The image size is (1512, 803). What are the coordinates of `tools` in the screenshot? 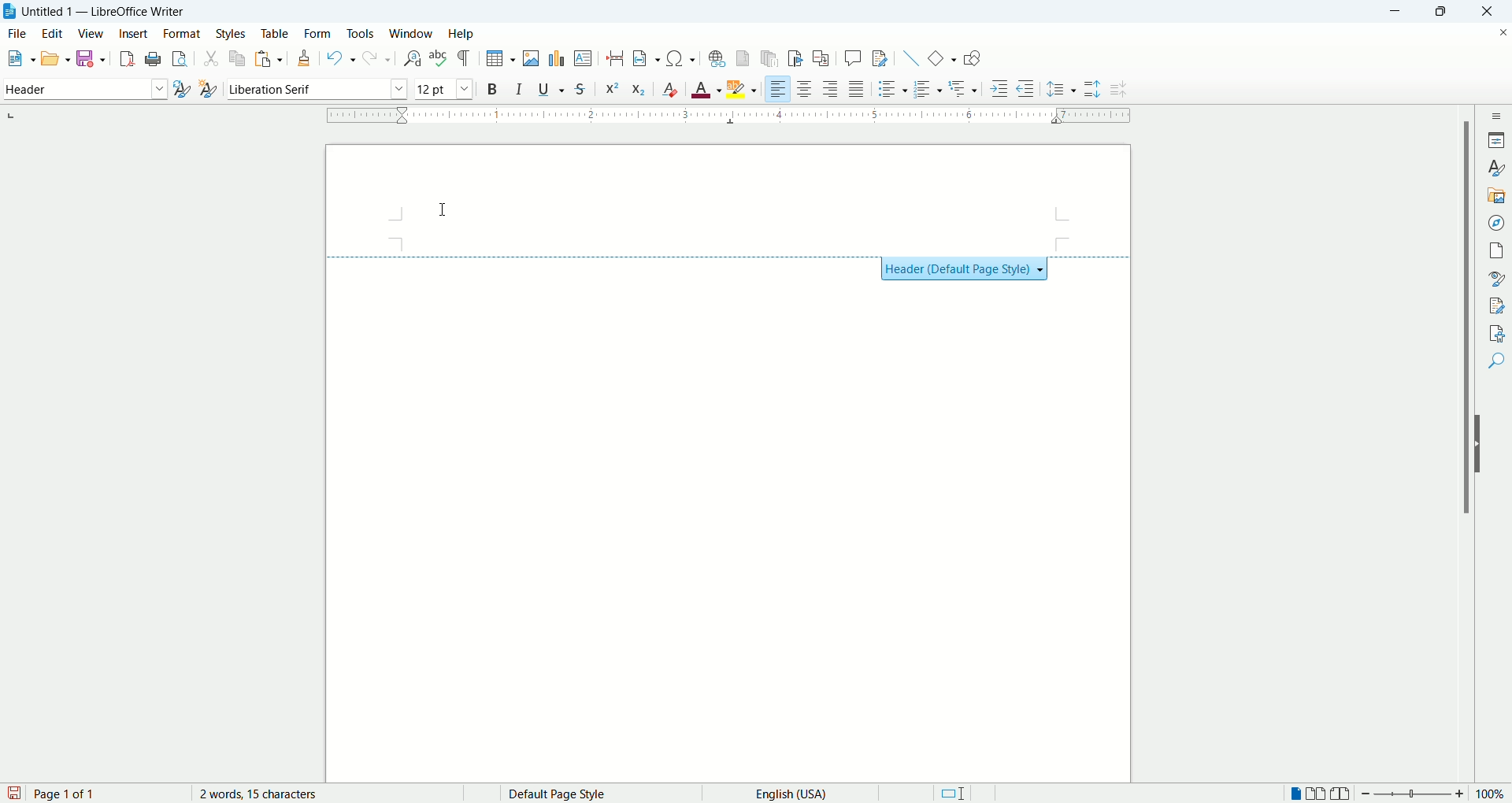 It's located at (361, 34).